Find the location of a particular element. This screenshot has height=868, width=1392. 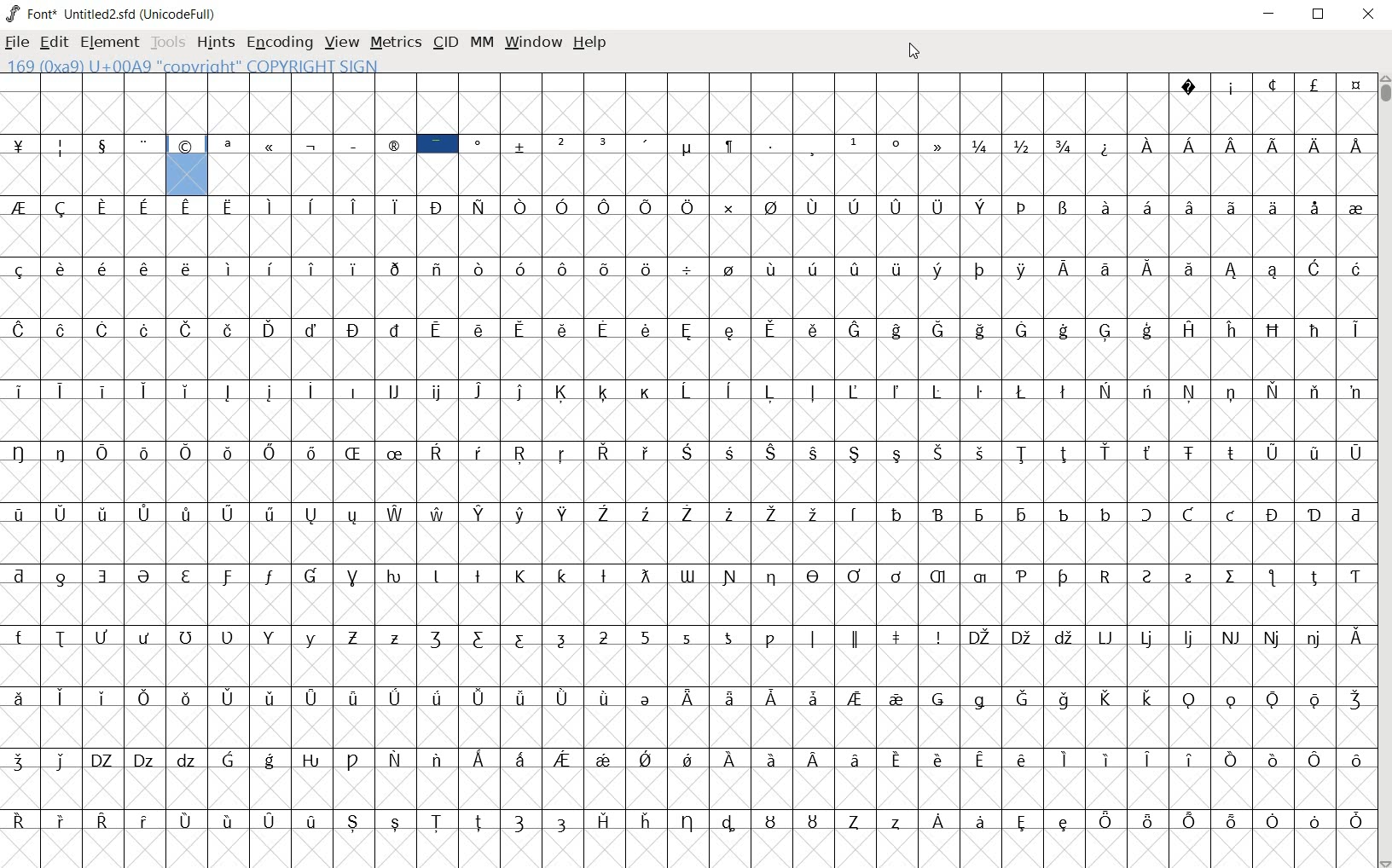

mm is located at coordinates (480, 40).